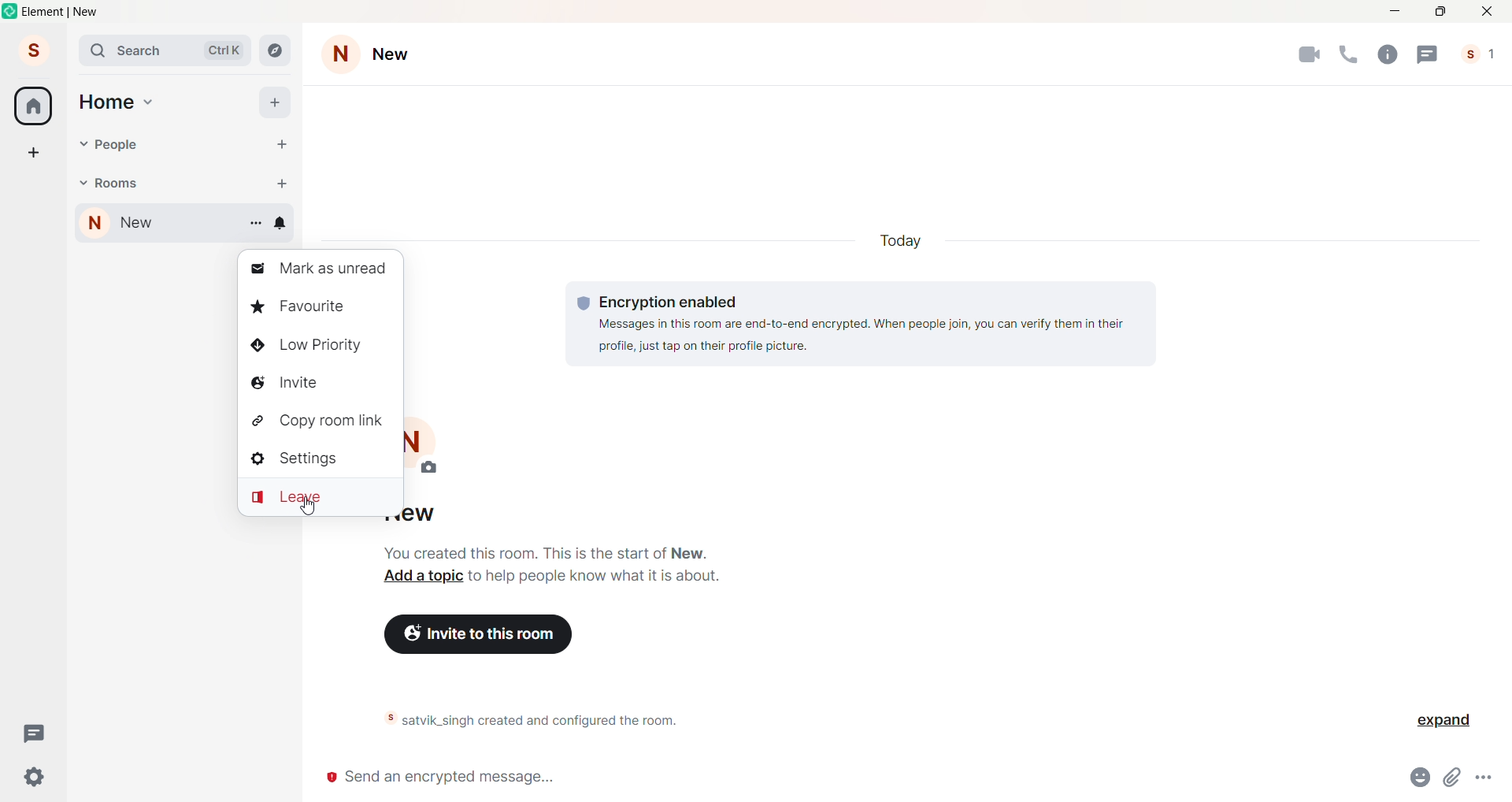 Image resolution: width=1512 pixels, height=802 pixels. I want to click on to help people know what it is about., so click(594, 577).